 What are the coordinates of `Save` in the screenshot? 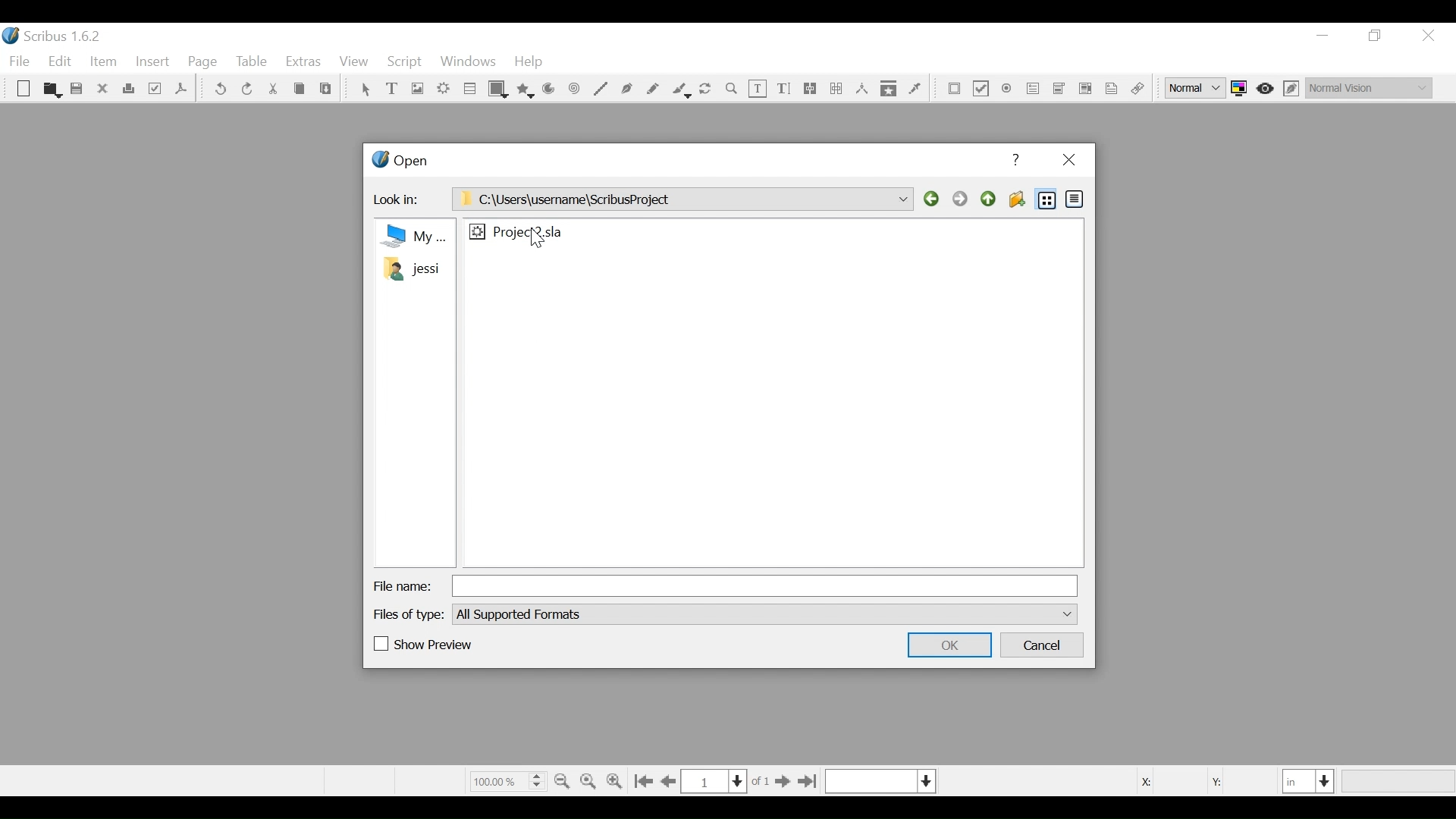 It's located at (78, 90).